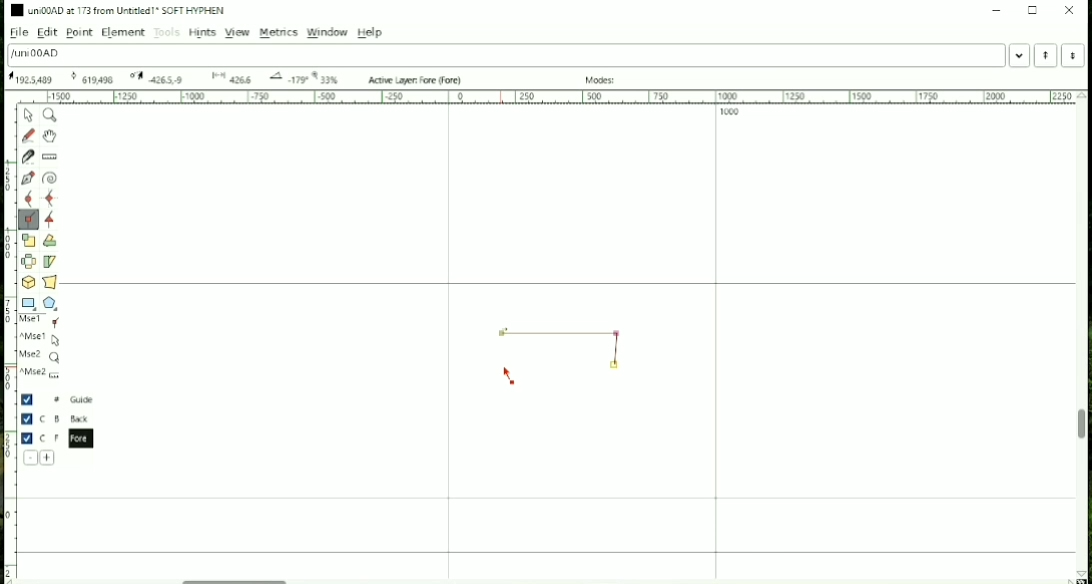 Image resolution: width=1092 pixels, height=584 pixels. What do you see at coordinates (51, 178) in the screenshot?
I see `Spiro` at bounding box center [51, 178].